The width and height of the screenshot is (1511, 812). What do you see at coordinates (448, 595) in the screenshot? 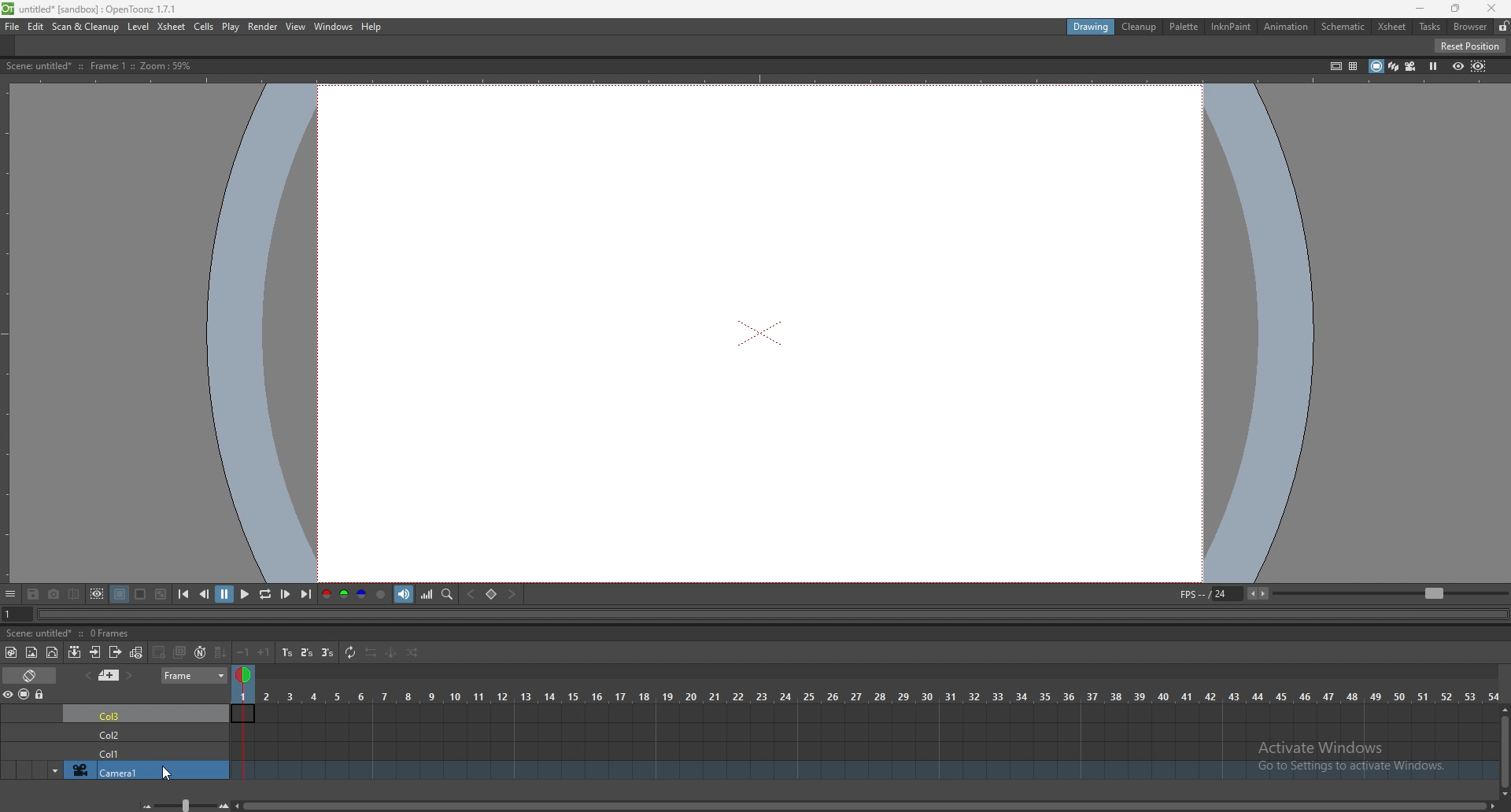
I see `locator` at bounding box center [448, 595].